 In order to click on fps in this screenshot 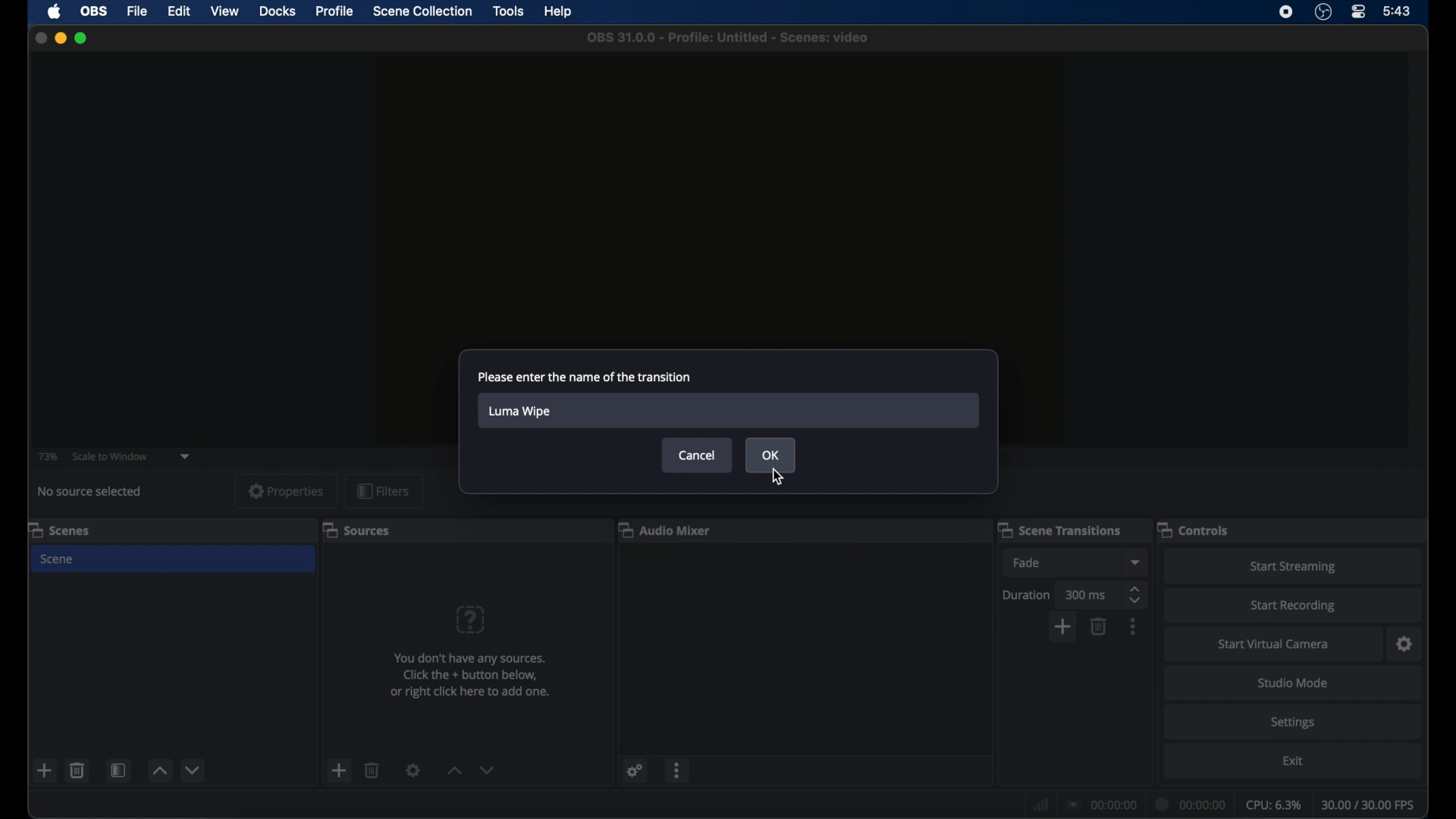, I will do `click(1368, 805)`.